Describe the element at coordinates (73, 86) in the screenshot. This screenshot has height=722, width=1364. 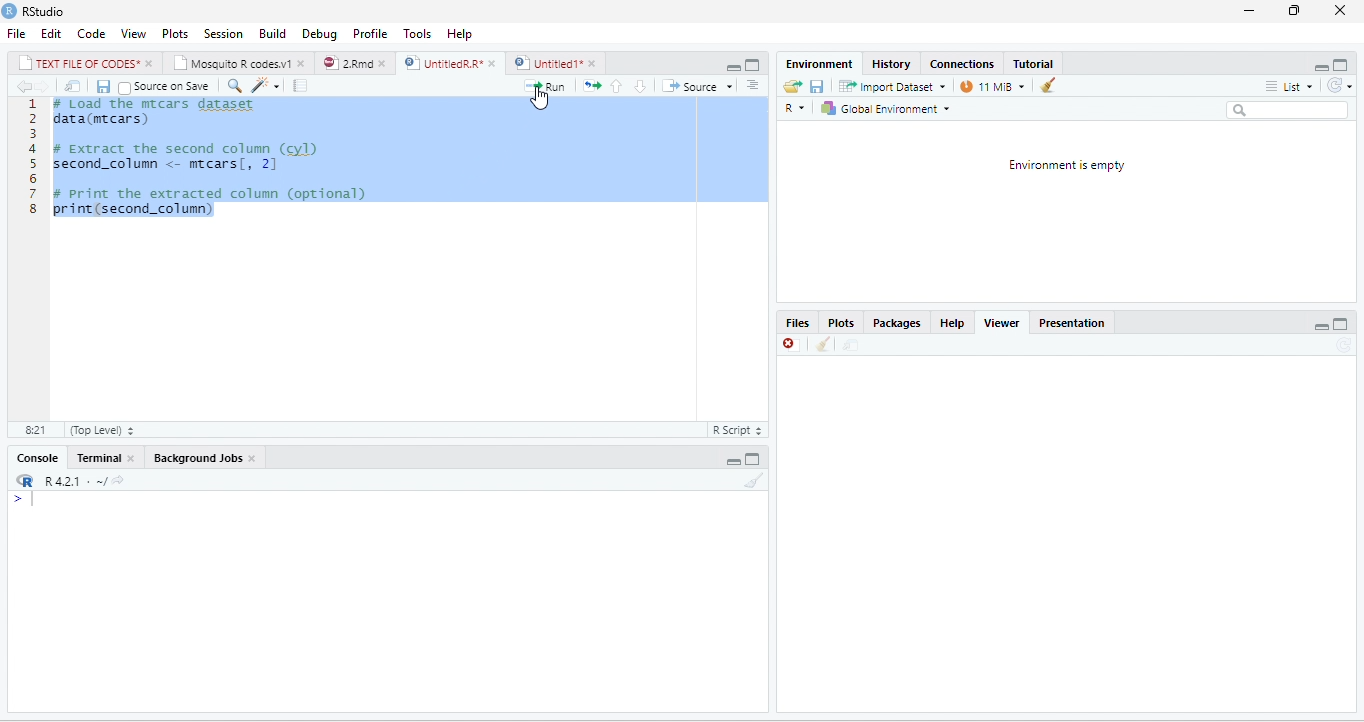
I see `move` at that location.